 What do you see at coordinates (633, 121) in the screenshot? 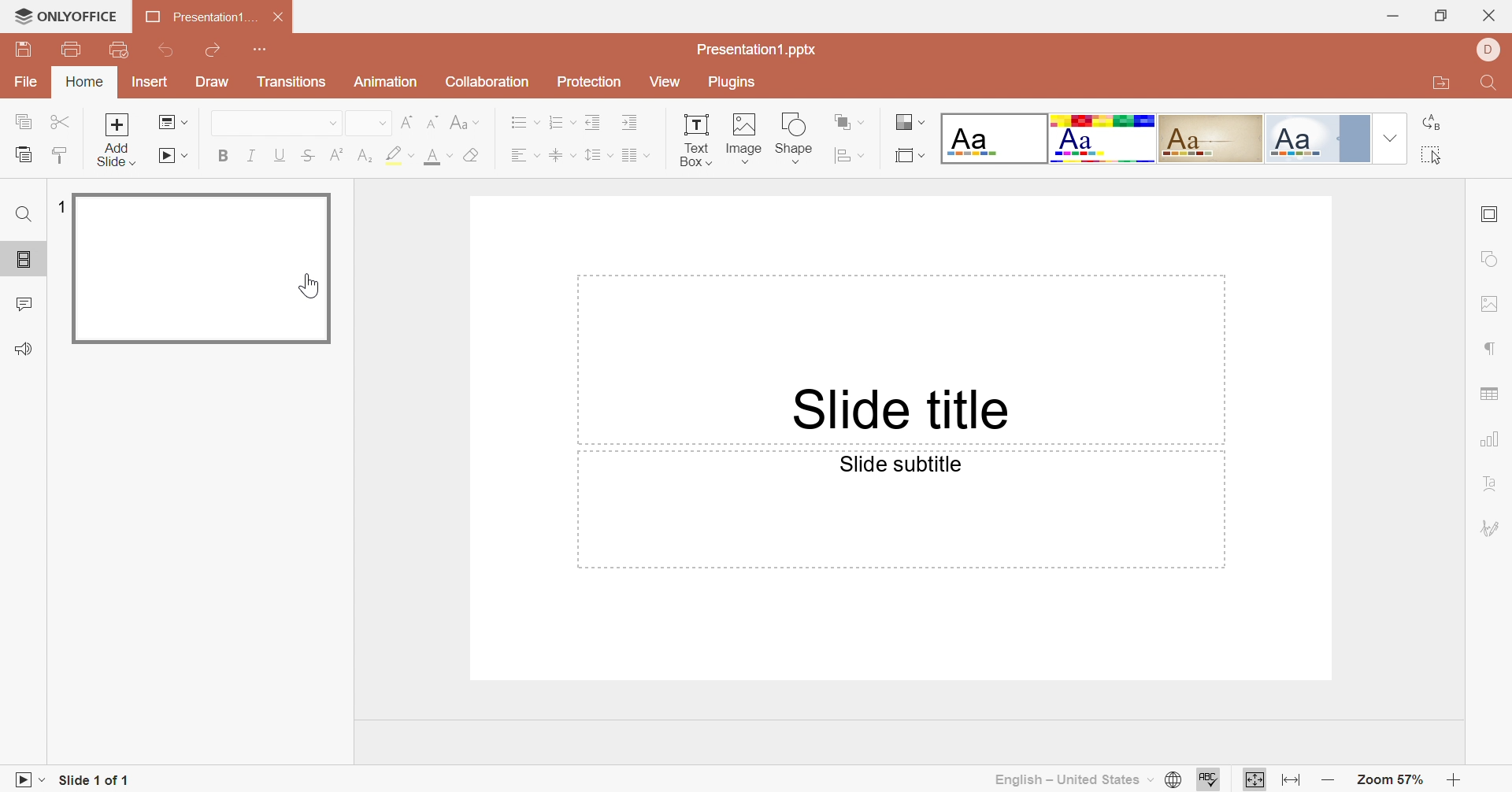
I see `Increase Indent` at bounding box center [633, 121].